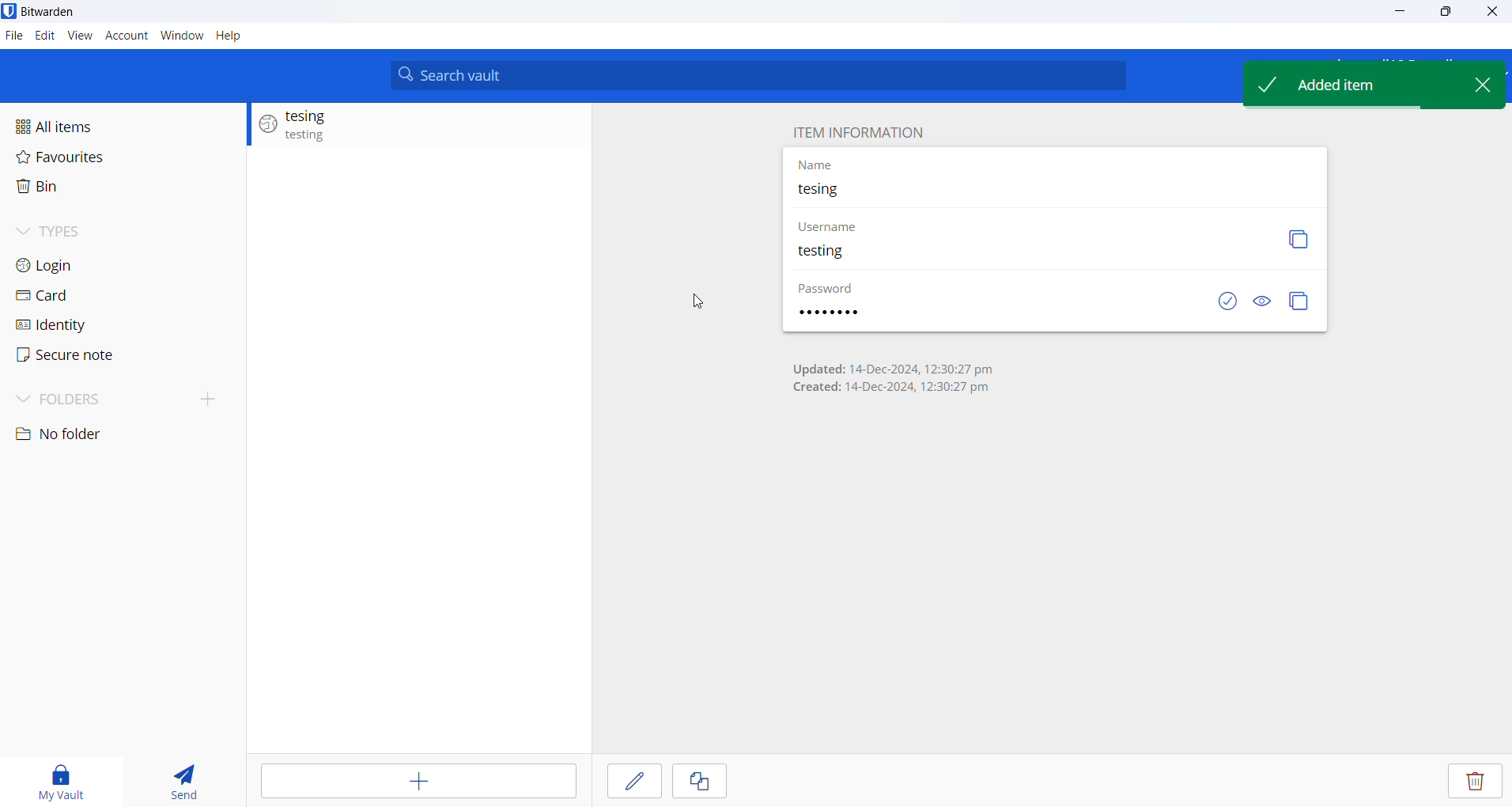 The image size is (1512, 807). Describe the element at coordinates (1267, 305) in the screenshot. I see `show or hide` at that location.